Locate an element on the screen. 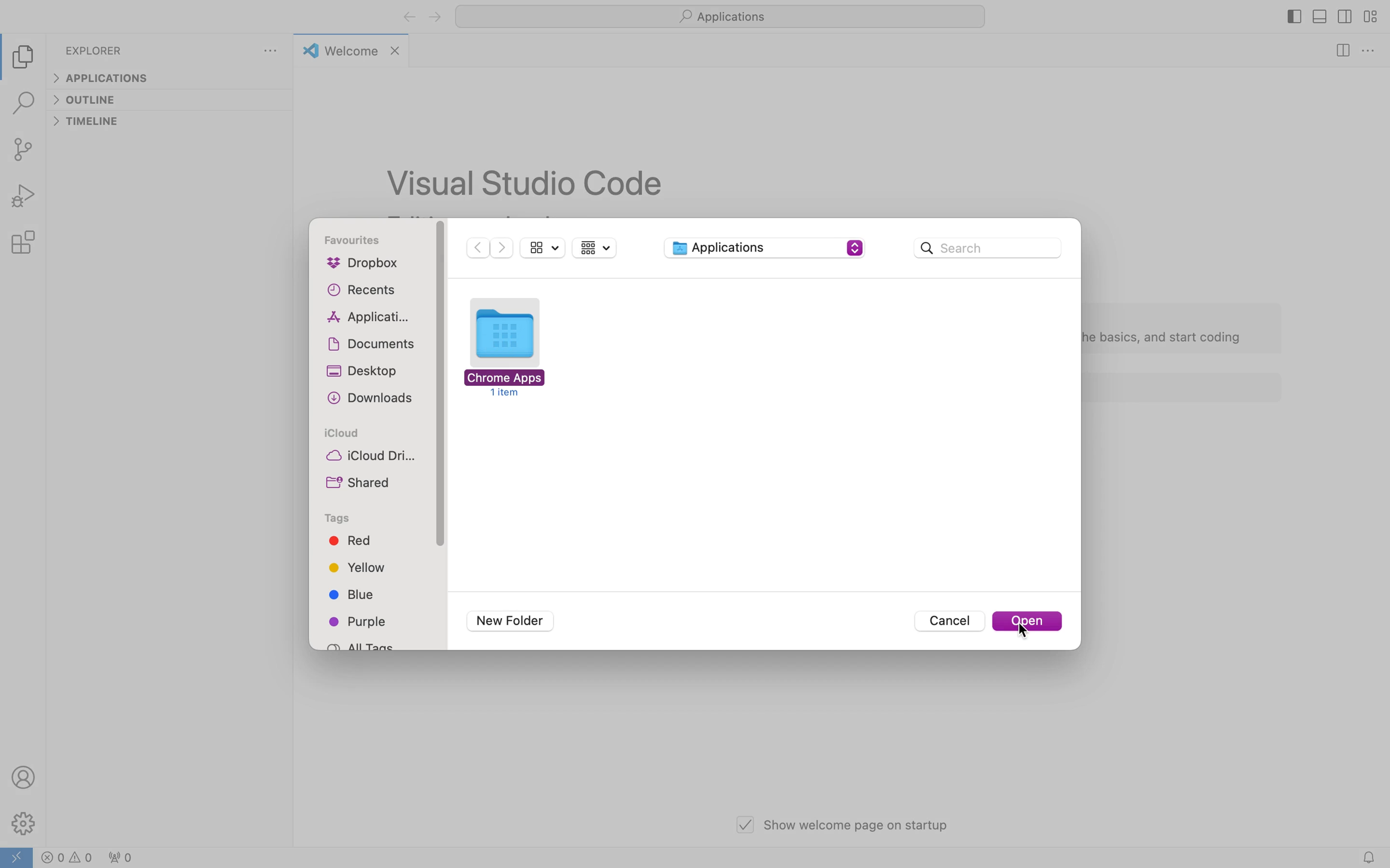 The image size is (1390, 868). all tags is located at coordinates (365, 644).